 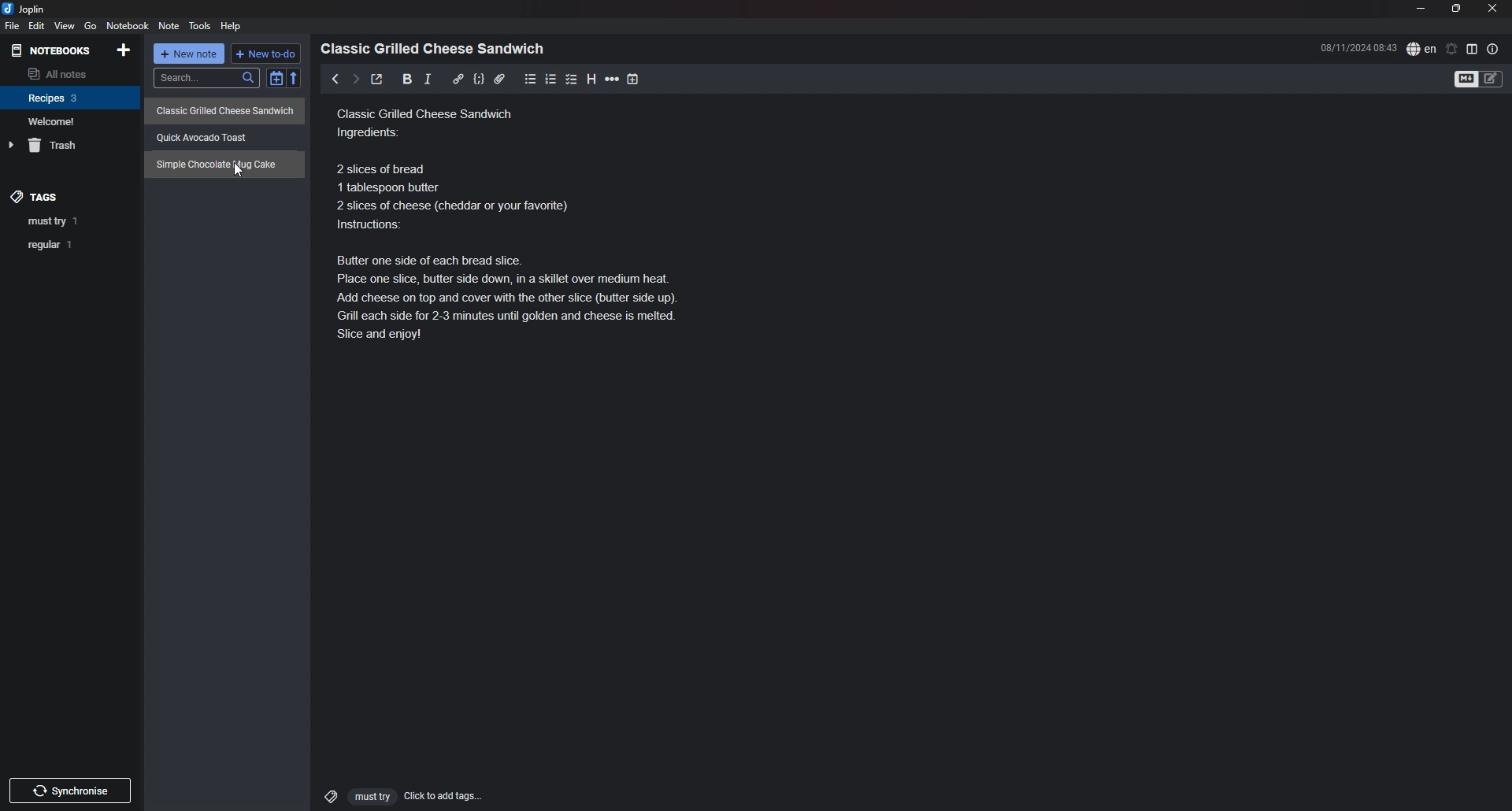 I want to click on add time, so click(x=635, y=79).